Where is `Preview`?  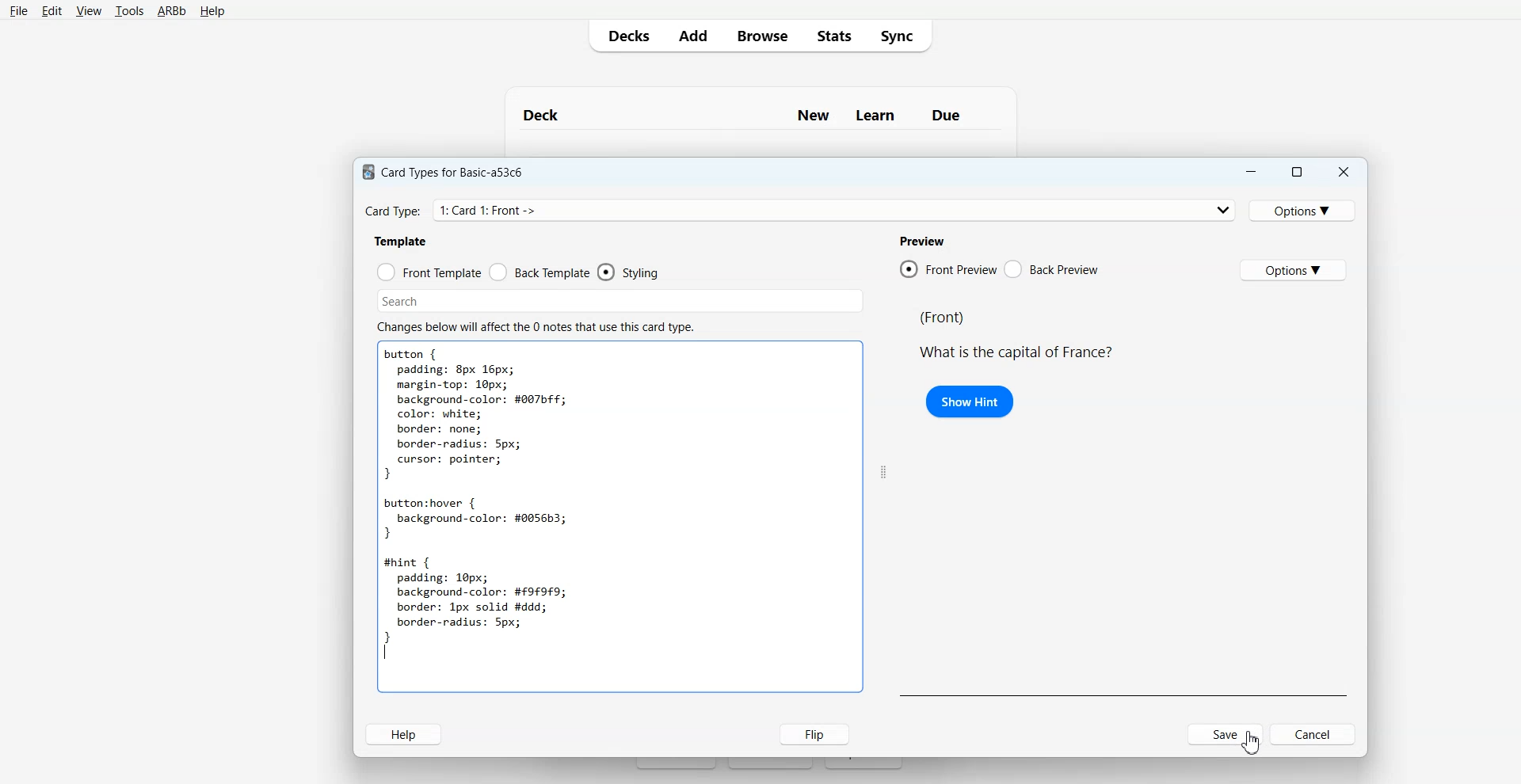 Preview is located at coordinates (921, 241).